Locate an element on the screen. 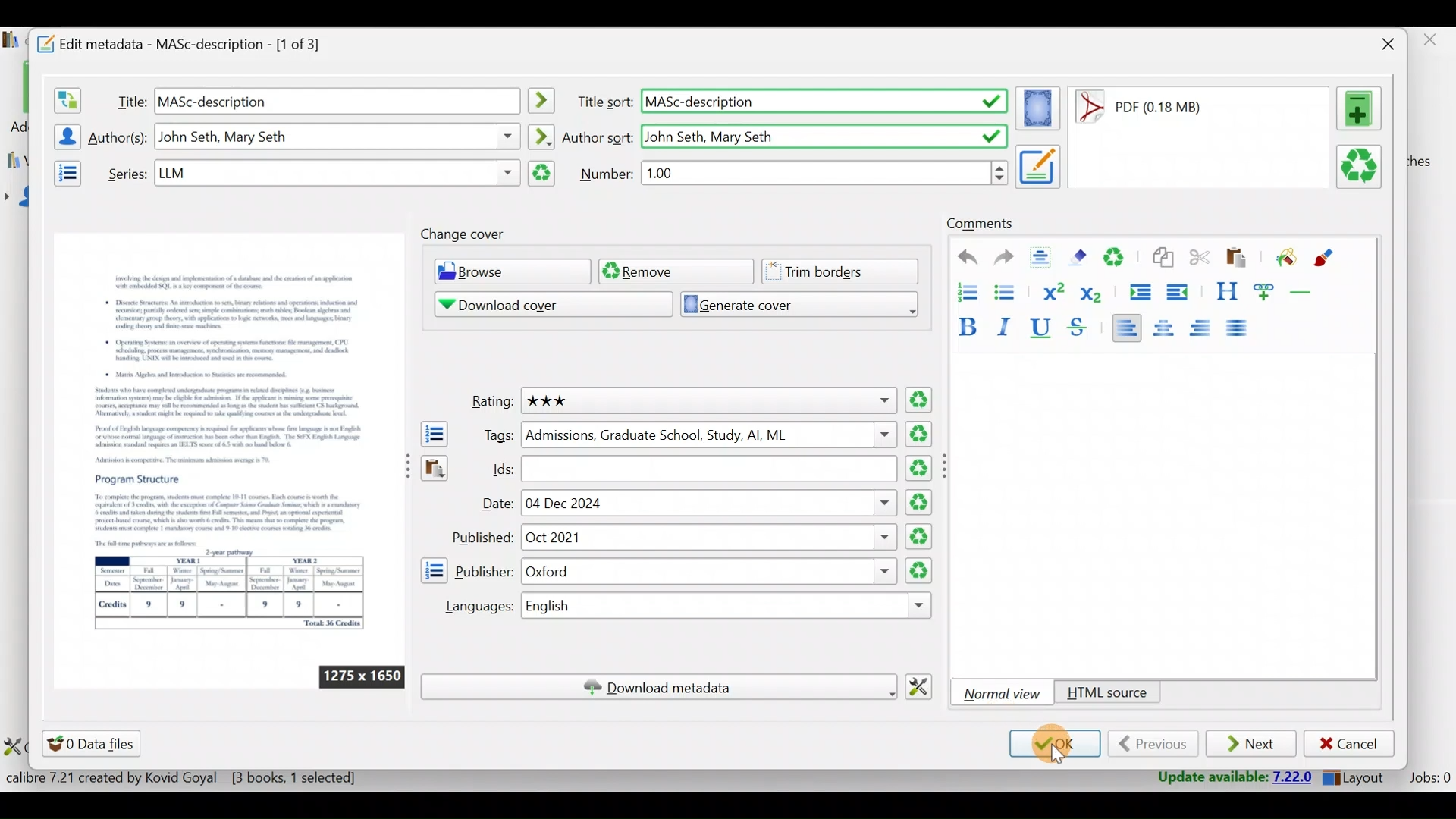 The image size is (1456, 819). Open the manage series editor is located at coordinates (63, 171).